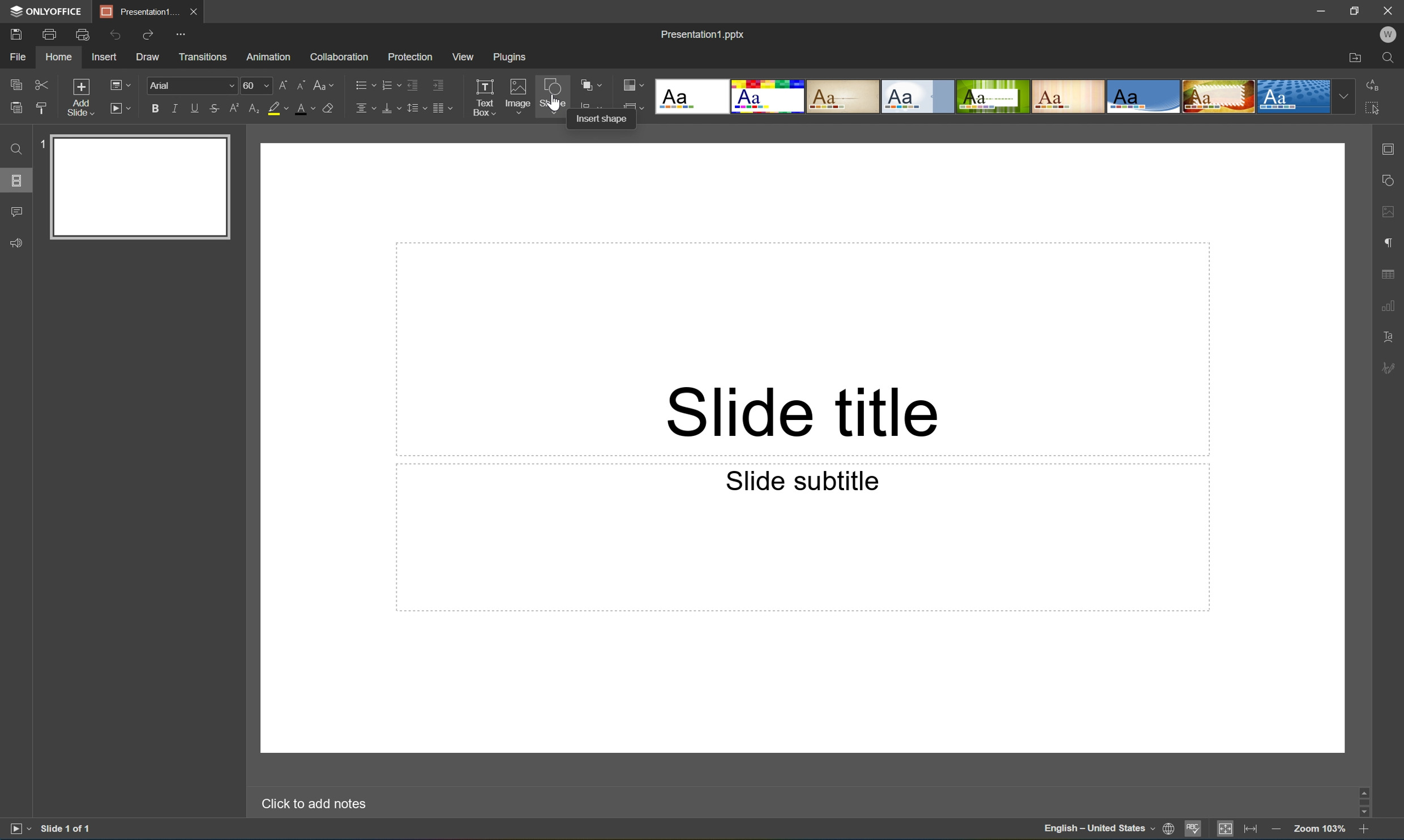  Describe the element at coordinates (148, 33) in the screenshot. I see `Redo` at that location.